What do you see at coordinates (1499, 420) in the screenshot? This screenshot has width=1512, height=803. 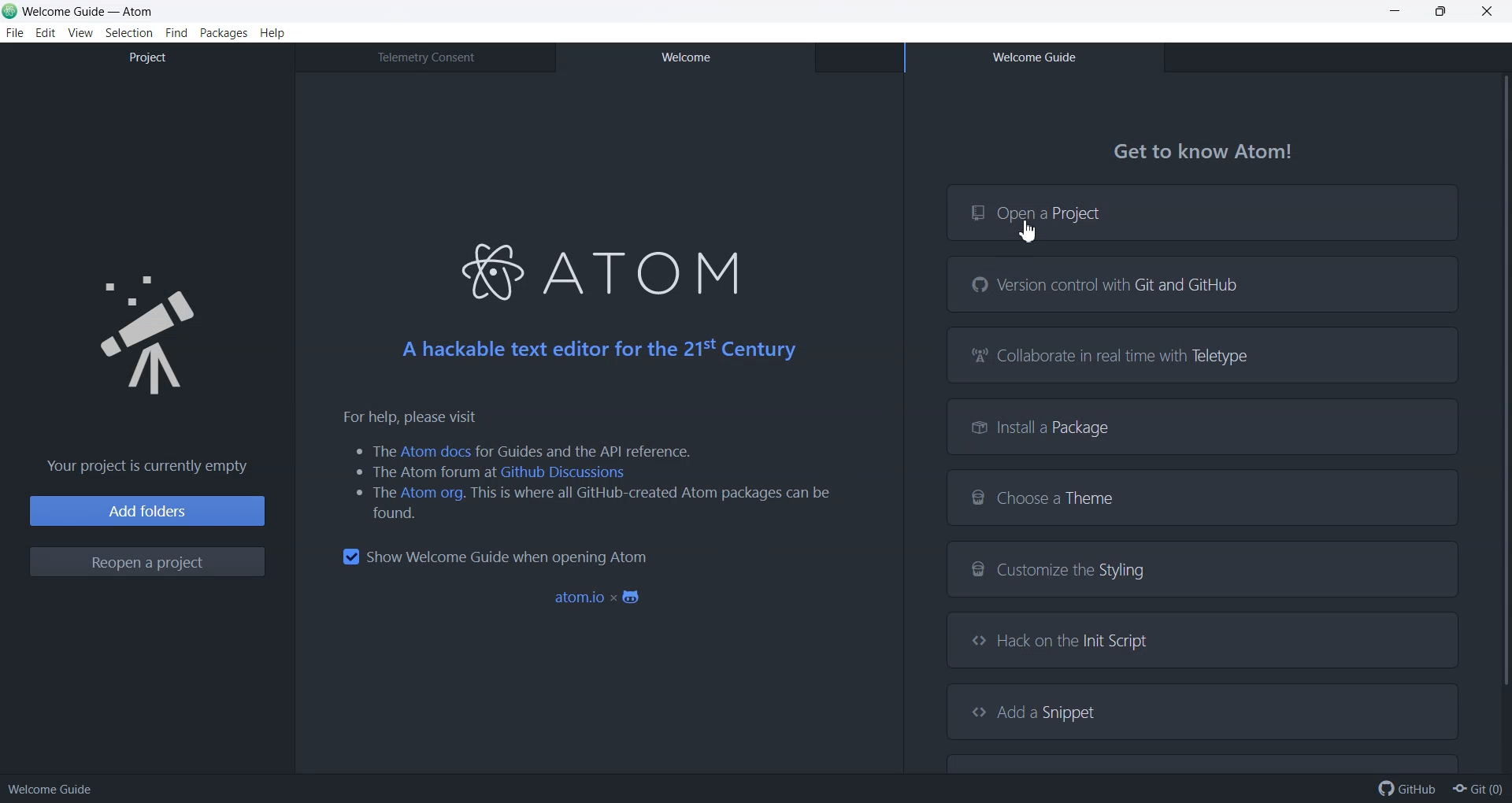 I see `Vertical Scrollbar` at bounding box center [1499, 420].